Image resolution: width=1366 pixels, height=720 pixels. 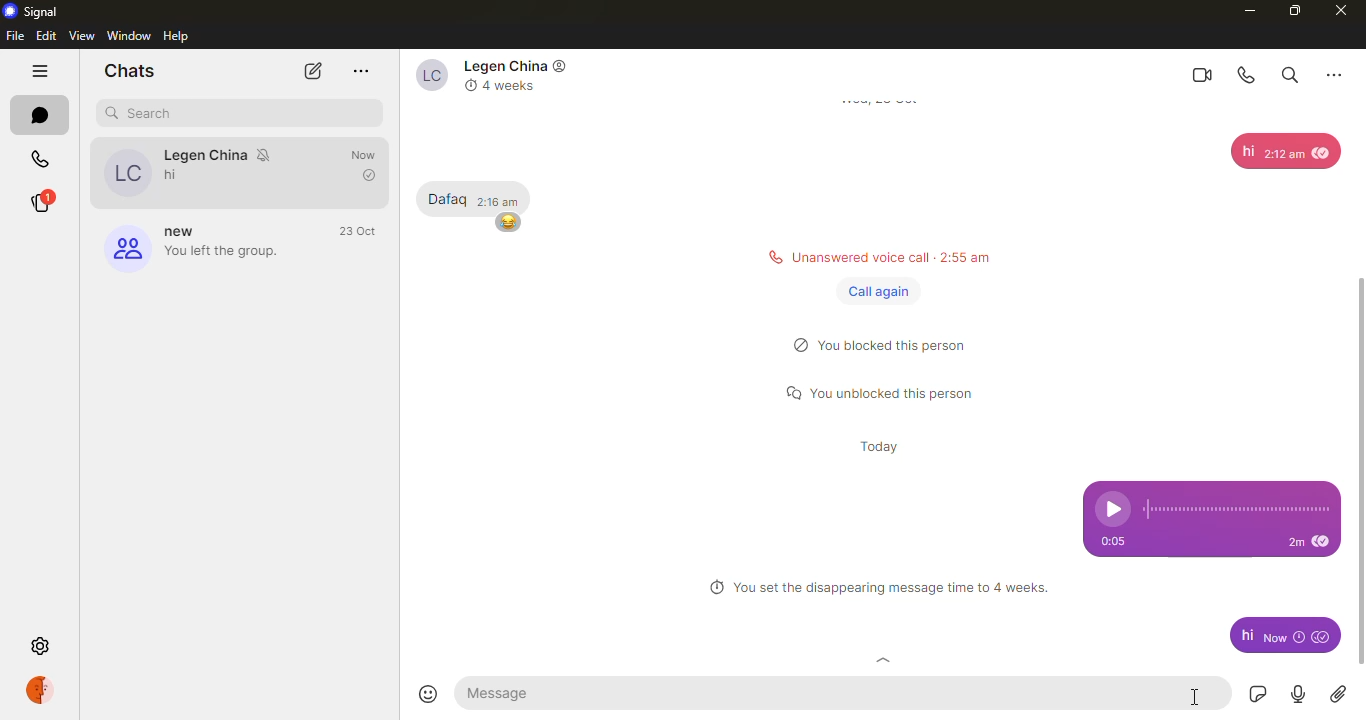 What do you see at coordinates (893, 344) in the screenshot?
I see ` You blocked this person` at bounding box center [893, 344].